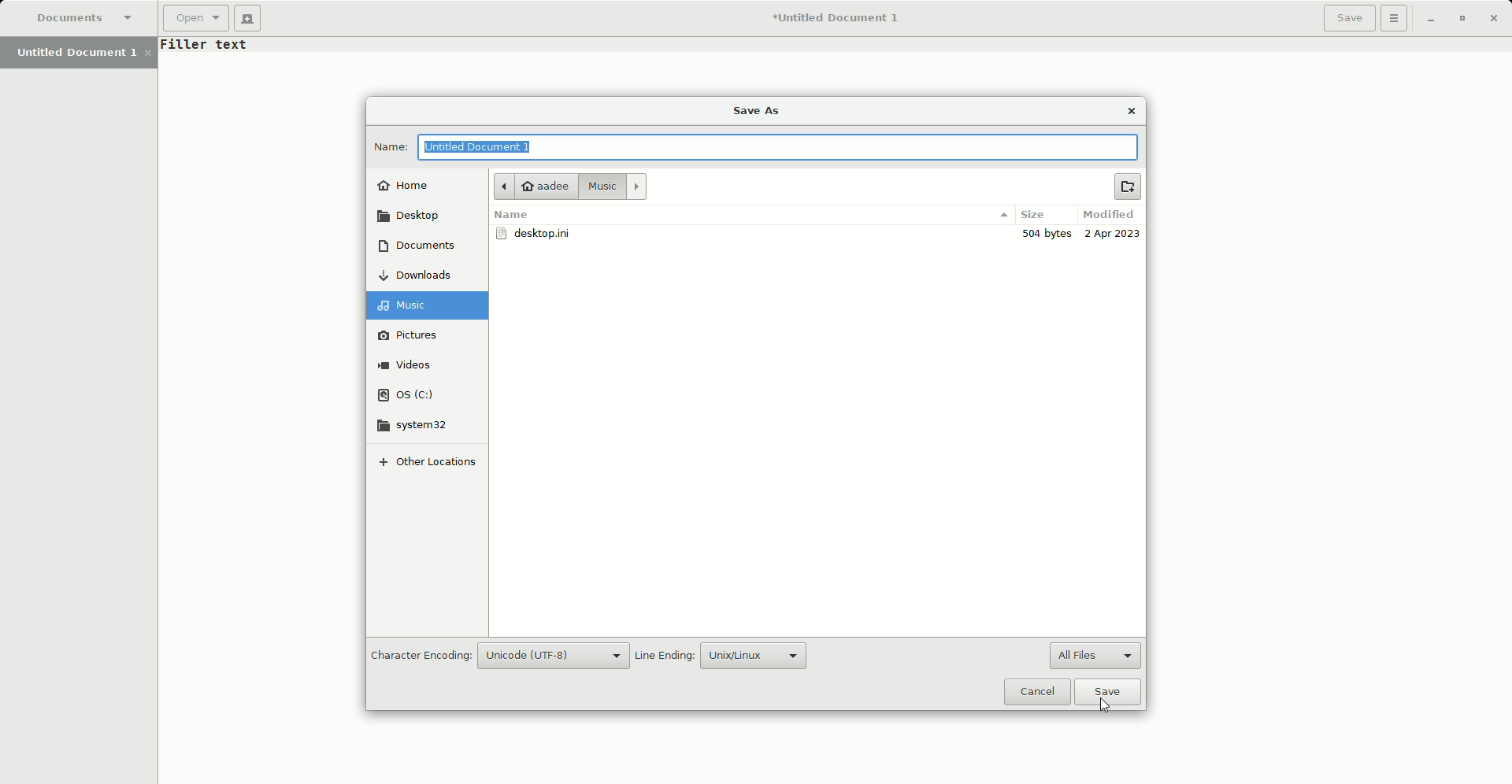  What do you see at coordinates (195, 20) in the screenshot?
I see `Open` at bounding box center [195, 20].